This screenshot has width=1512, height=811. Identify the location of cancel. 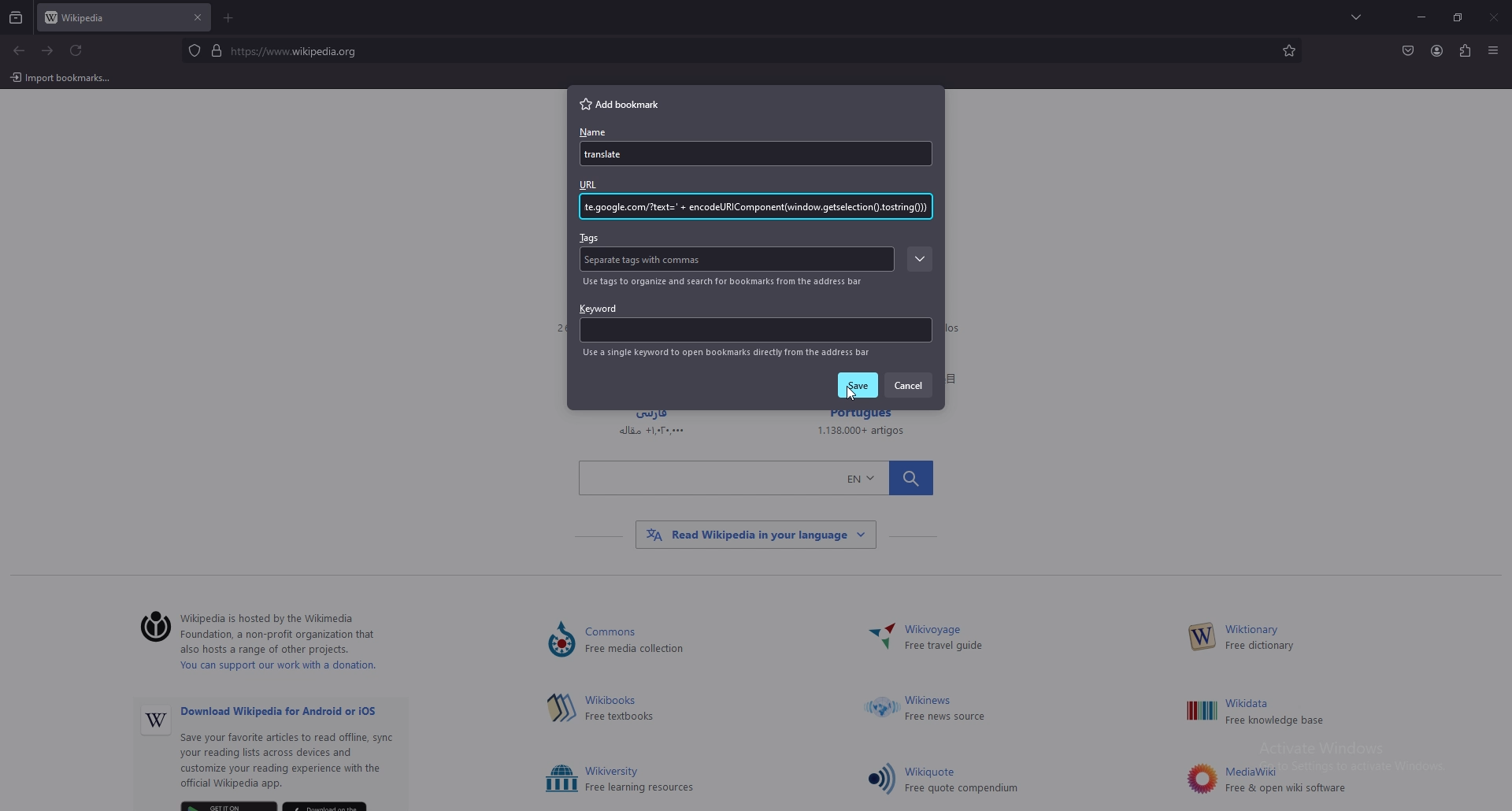
(910, 384).